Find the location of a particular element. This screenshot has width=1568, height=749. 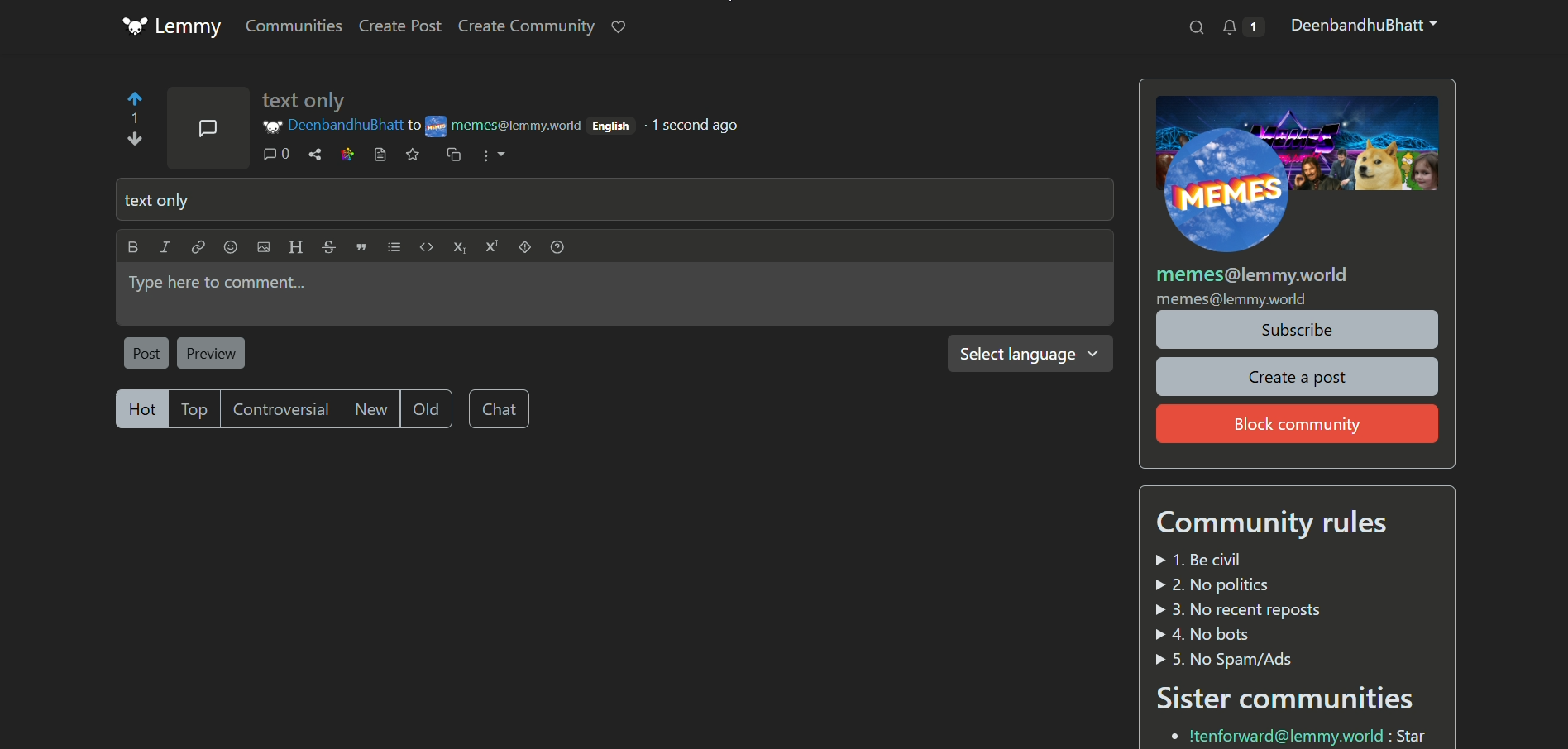

text box is located at coordinates (615, 293).